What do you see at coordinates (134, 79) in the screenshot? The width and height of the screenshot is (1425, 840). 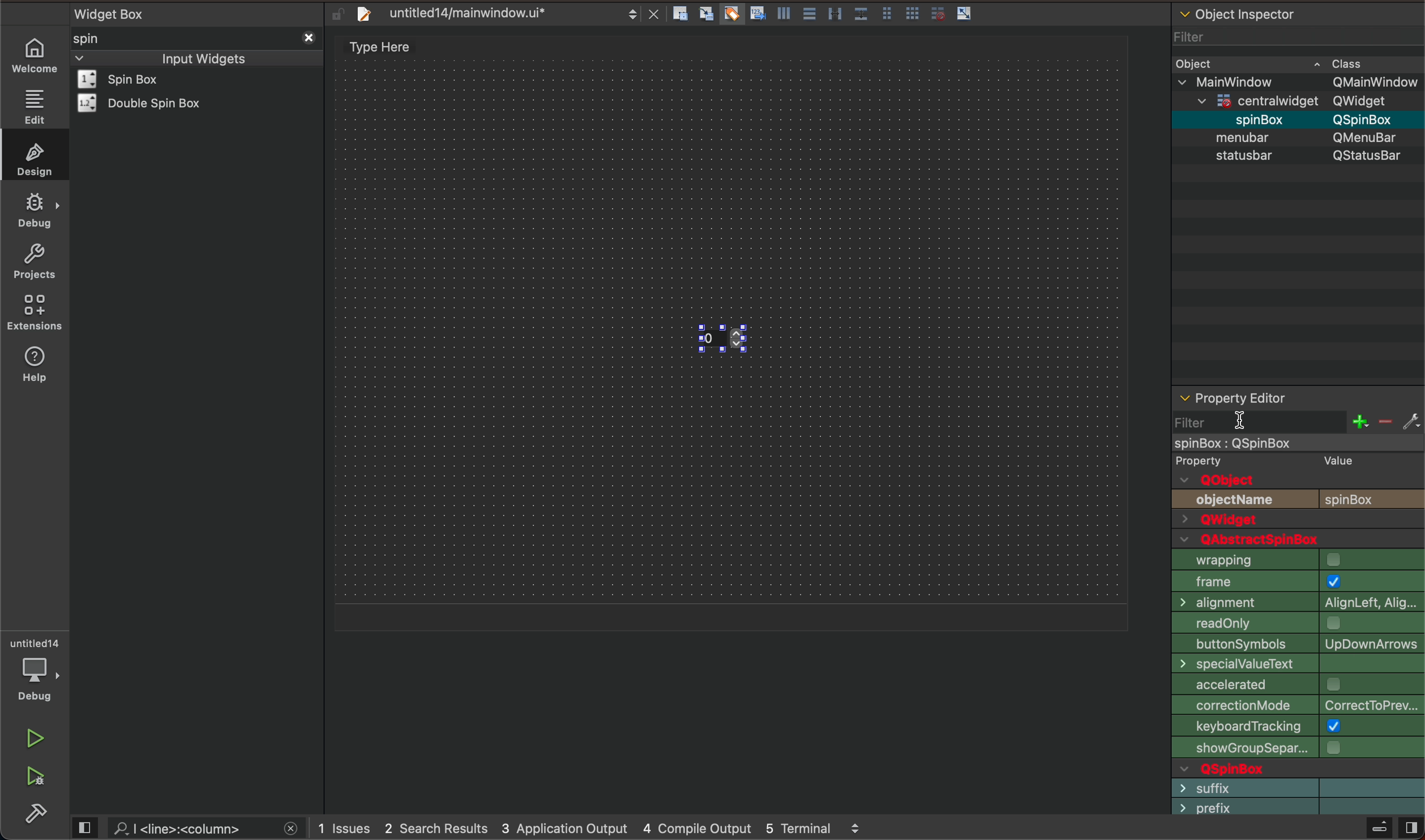 I see `widget` at bounding box center [134, 79].